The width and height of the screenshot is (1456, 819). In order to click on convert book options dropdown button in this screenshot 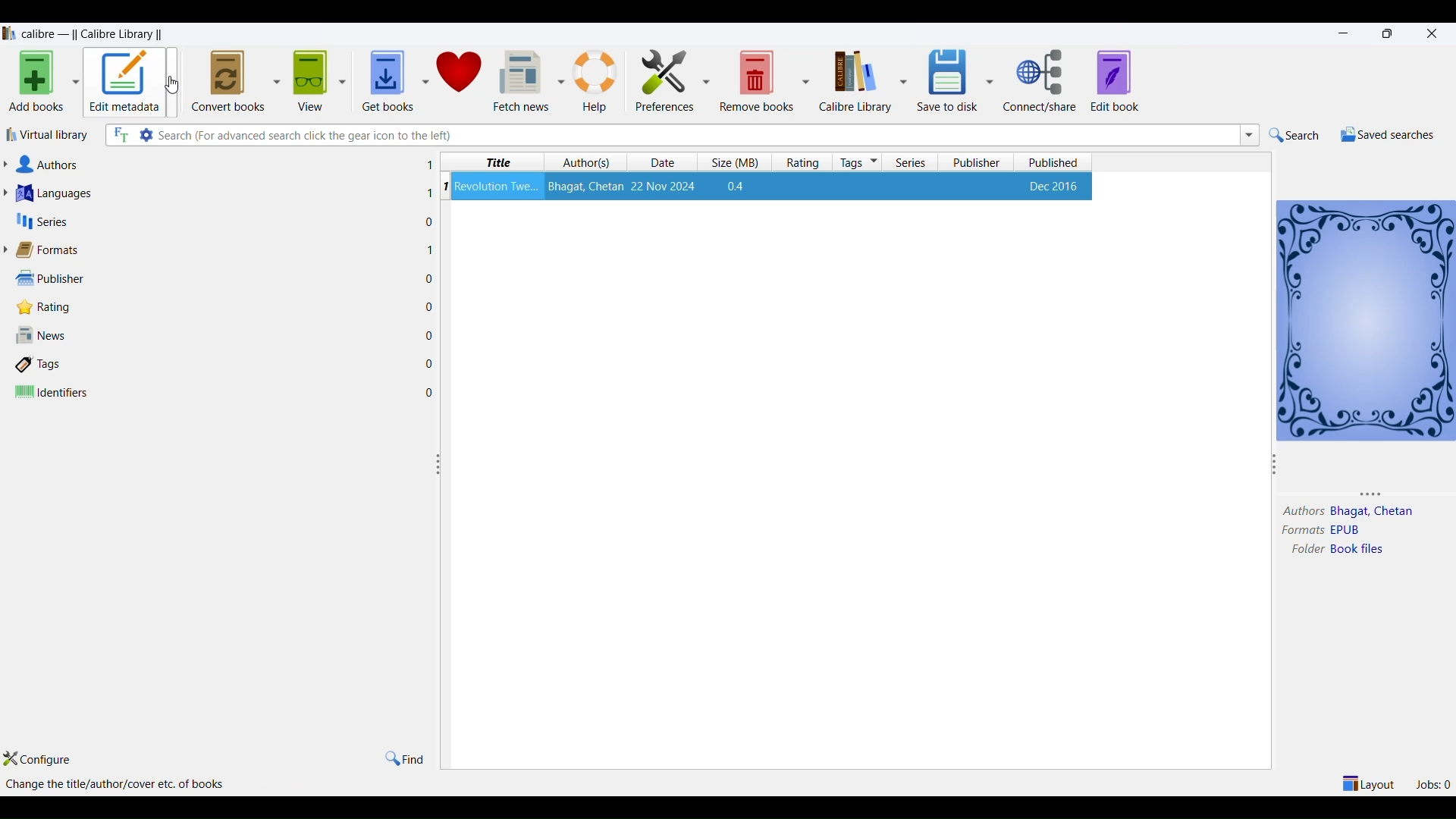, I will do `click(275, 74)`.